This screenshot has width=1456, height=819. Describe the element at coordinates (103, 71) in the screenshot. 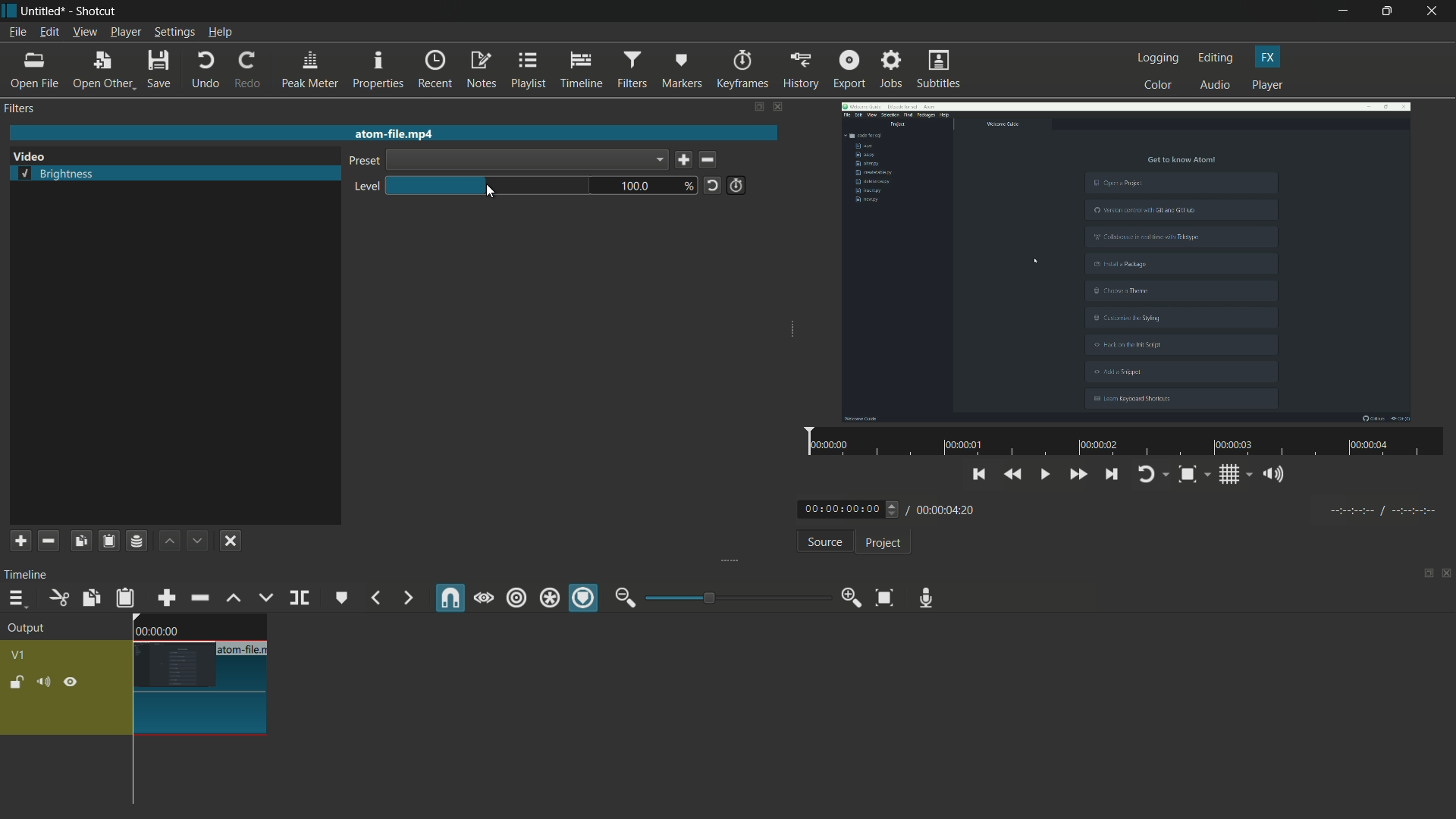

I see `open other` at that location.